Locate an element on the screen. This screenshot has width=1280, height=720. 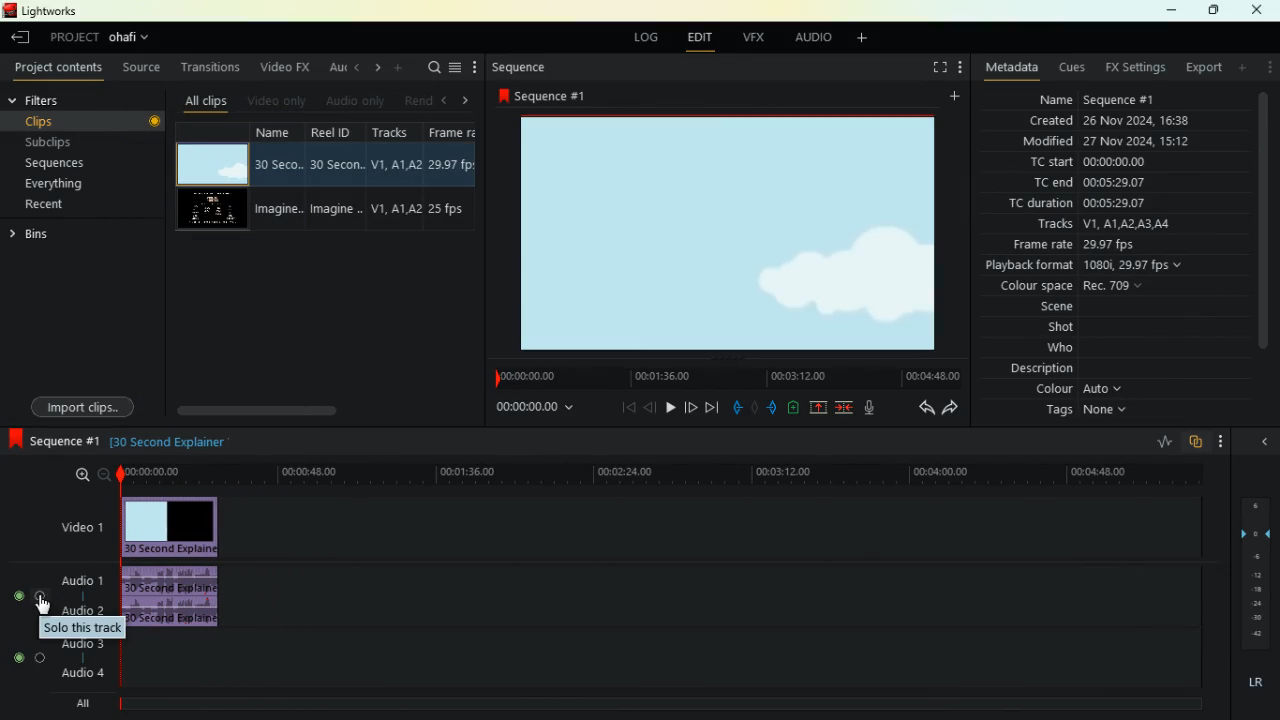
more is located at coordinates (398, 68).